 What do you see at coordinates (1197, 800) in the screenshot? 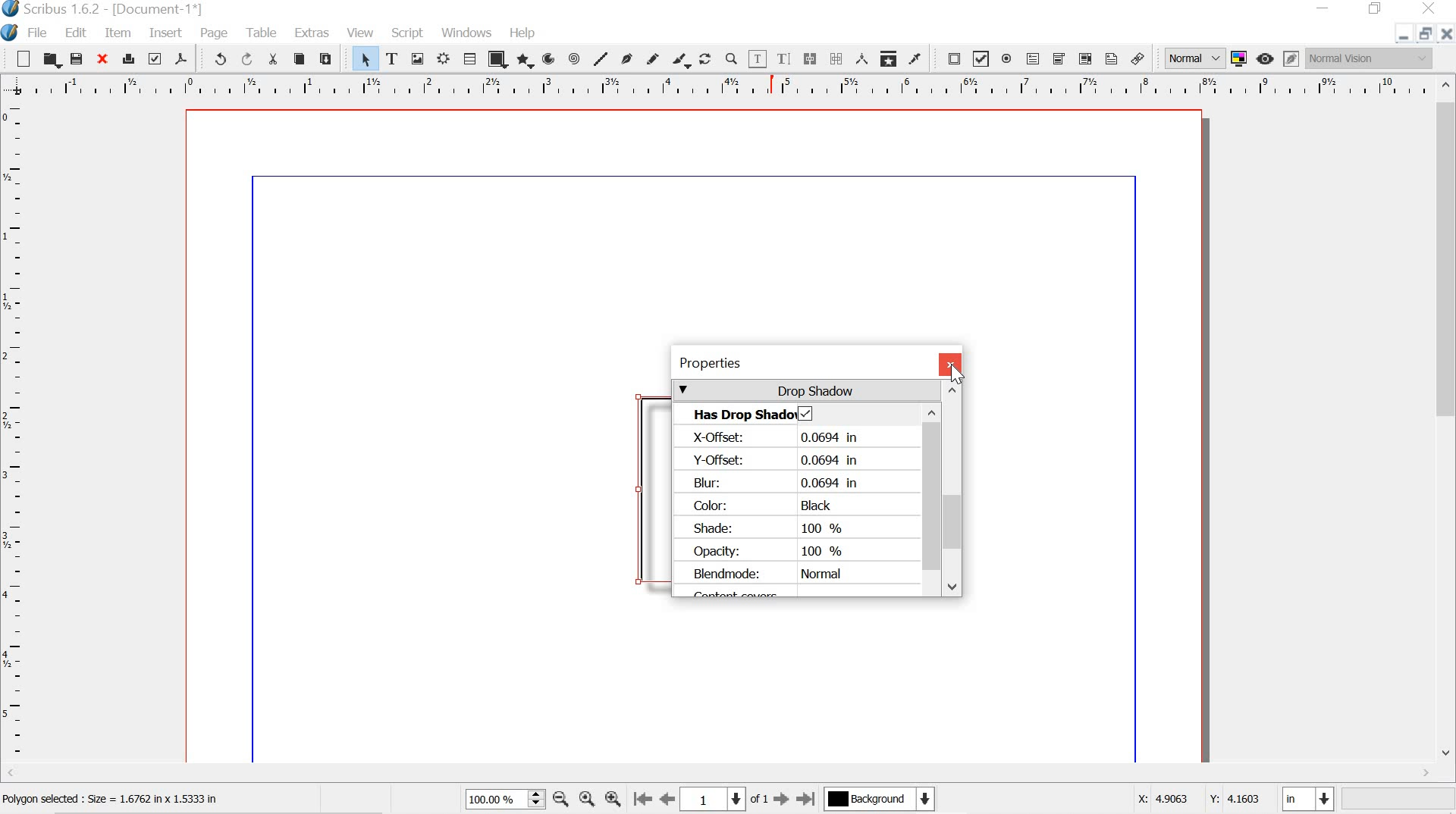
I see `X: 4.9063  Y:4.1603` at bounding box center [1197, 800].